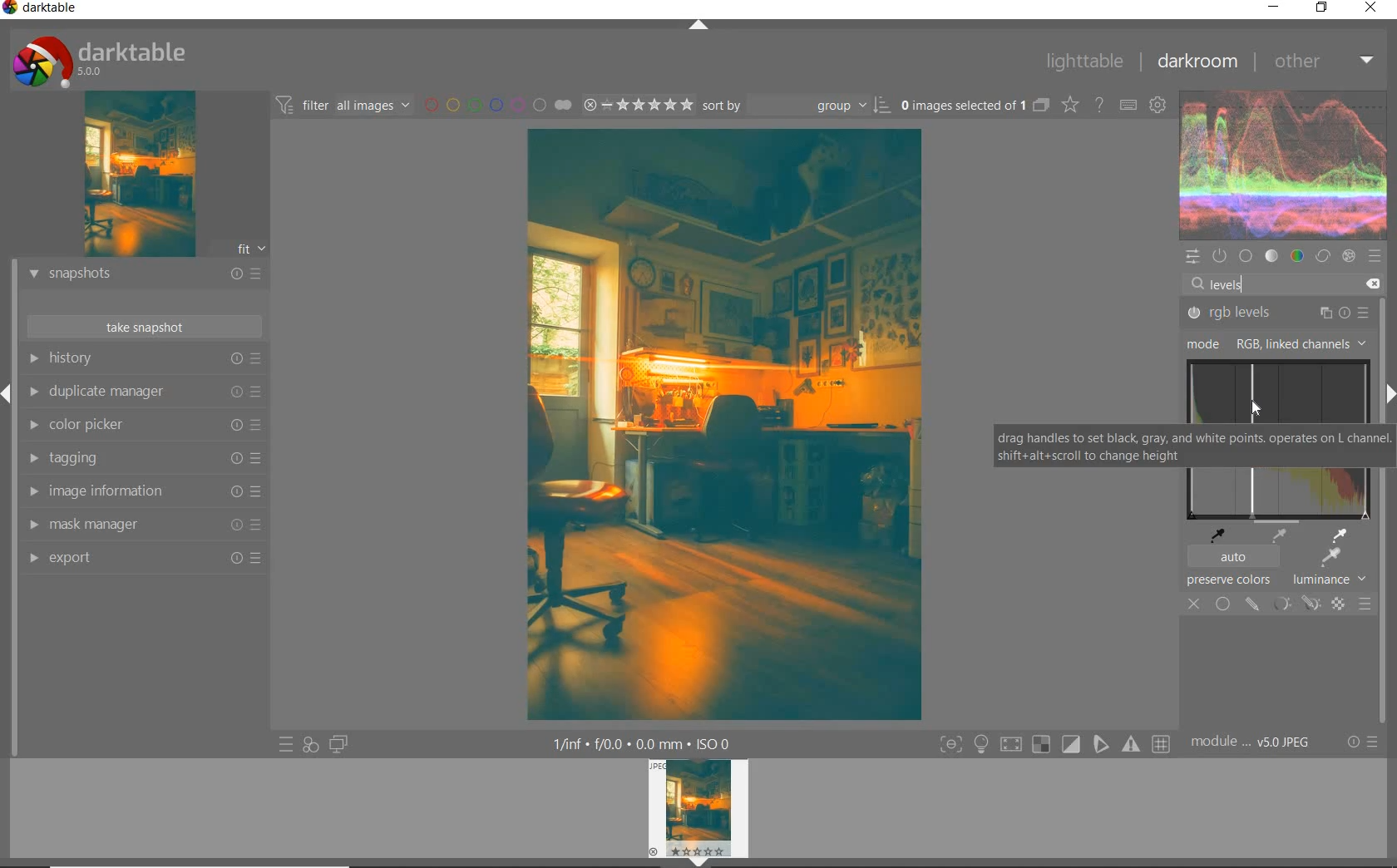 The width and height of the screenshot is (1397, 868). Describe the element at coordinates (1272, 344) in the screenshot. I see `mode RGB, linked channels` at that location.